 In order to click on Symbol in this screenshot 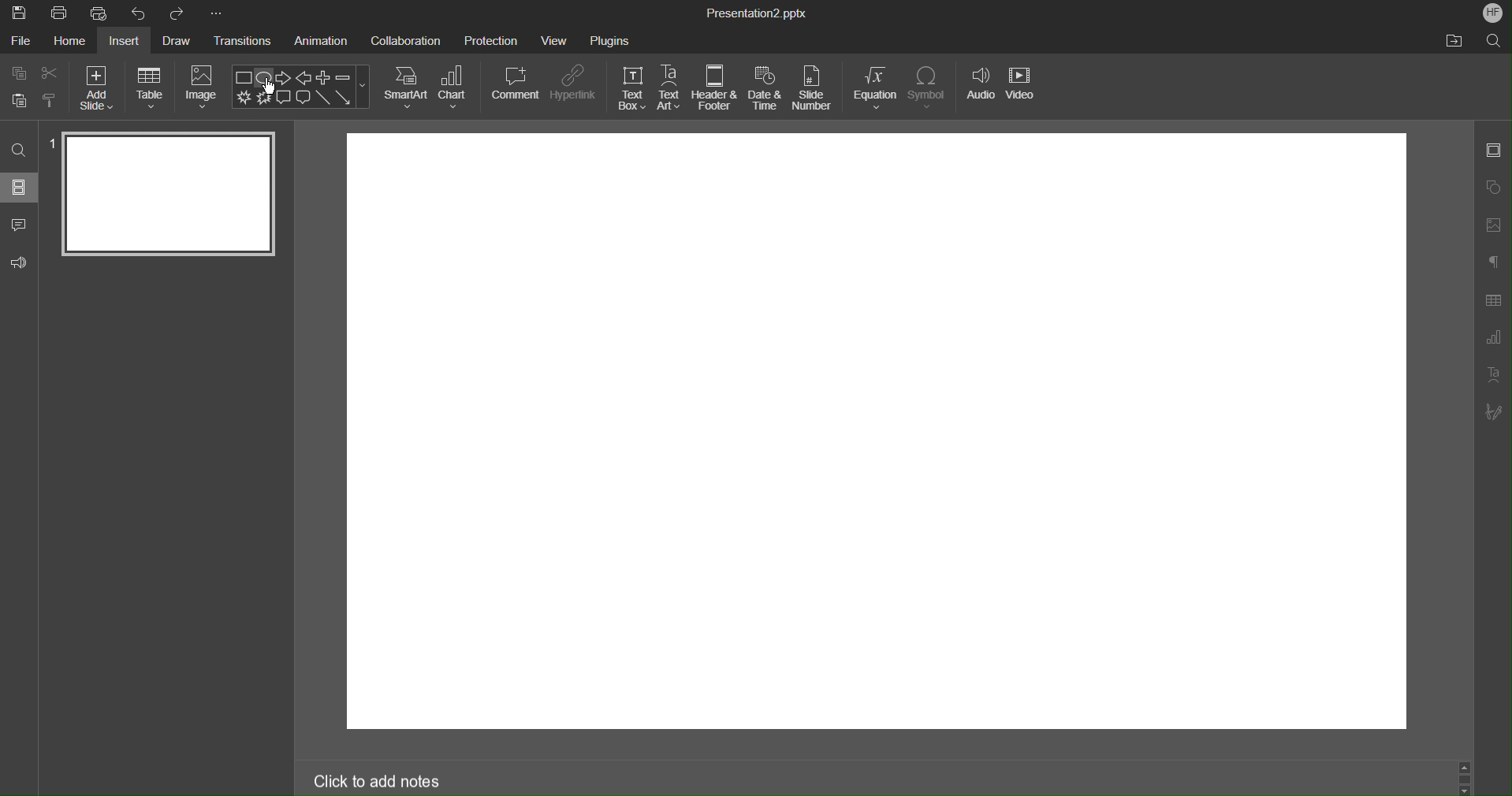, I will do `click(929, 88)`.